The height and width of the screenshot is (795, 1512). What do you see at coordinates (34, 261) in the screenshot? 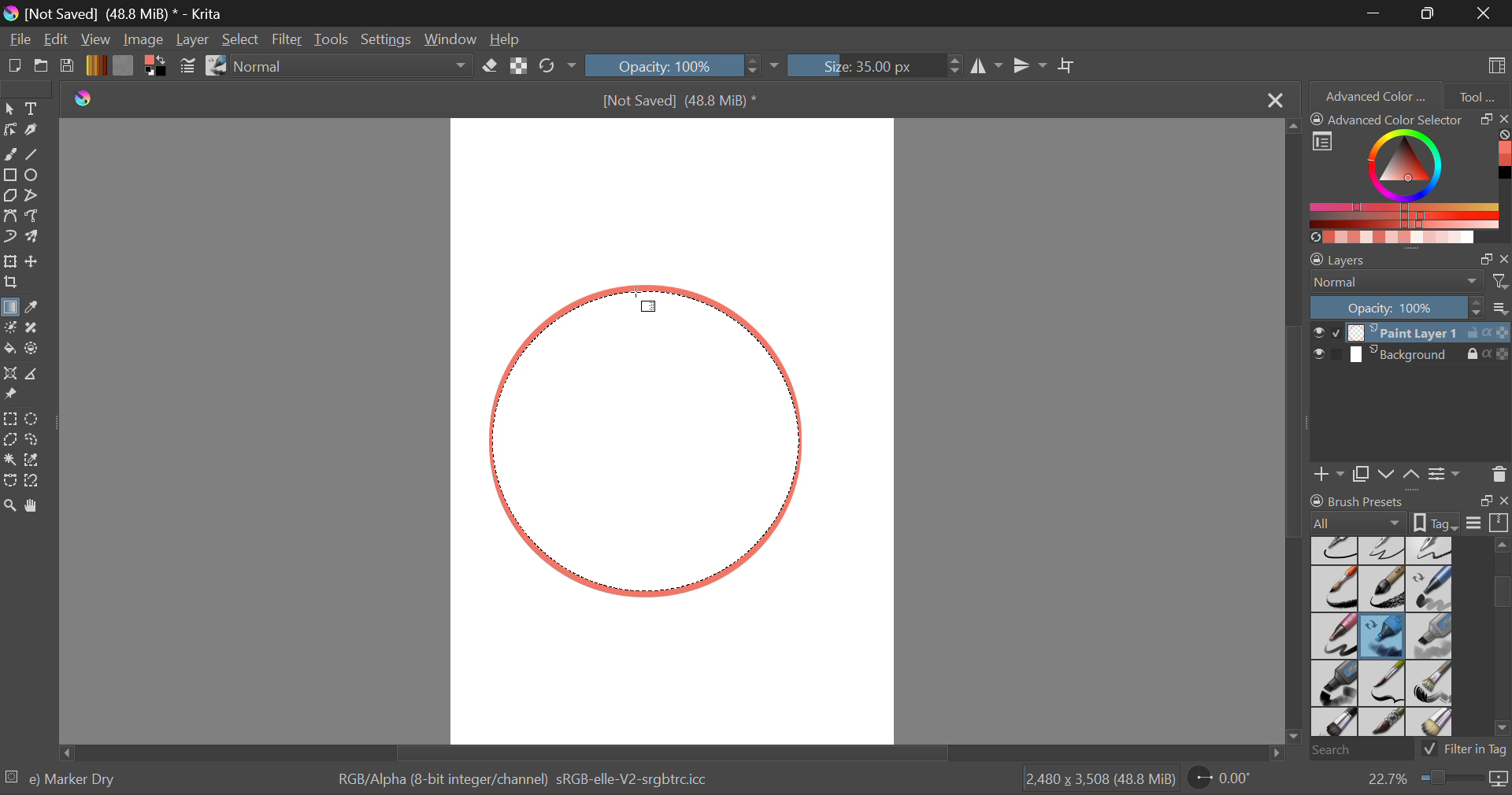
I see `Move a layer` at bounding box center [34, 261].